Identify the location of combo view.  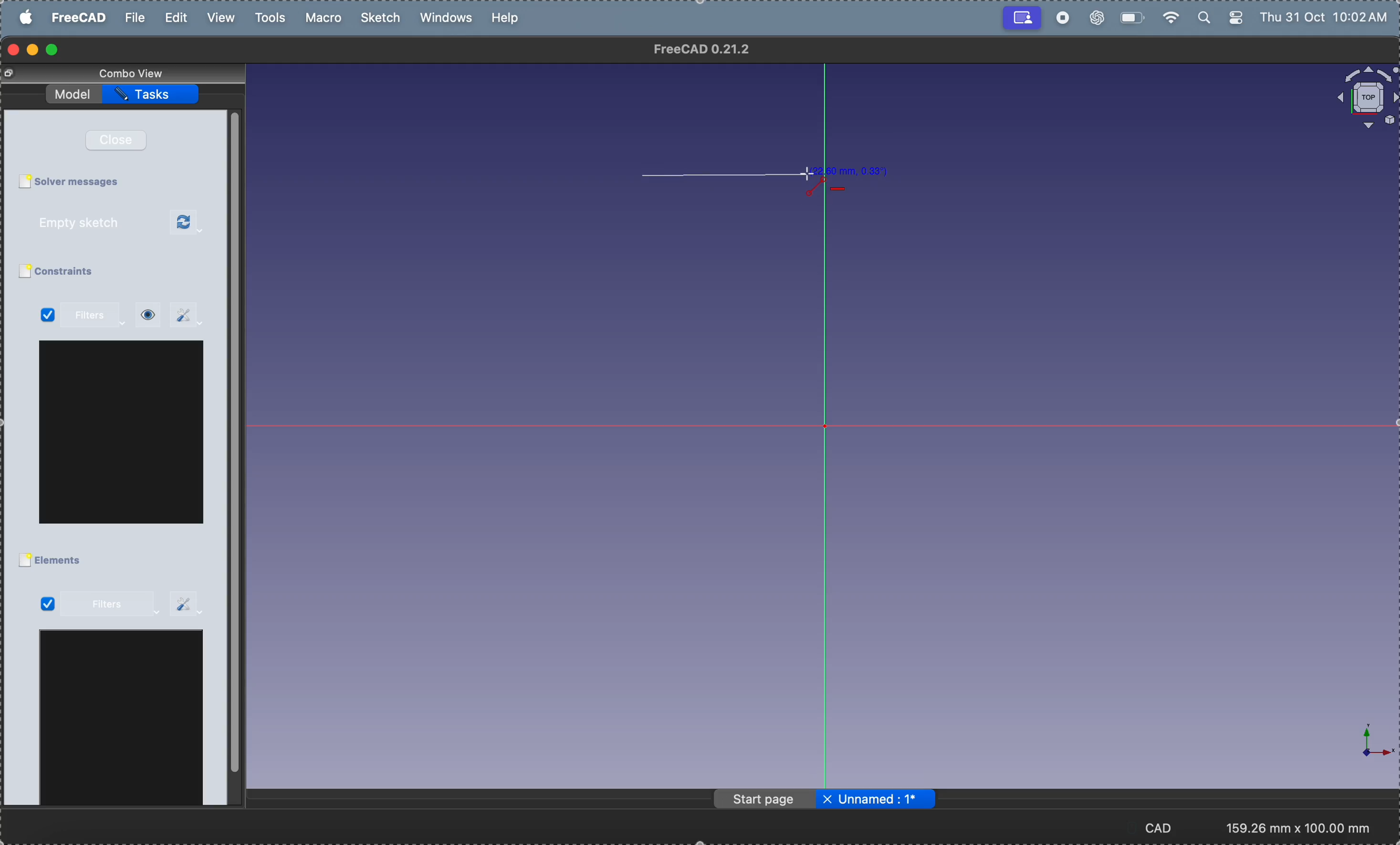
(135, 73).